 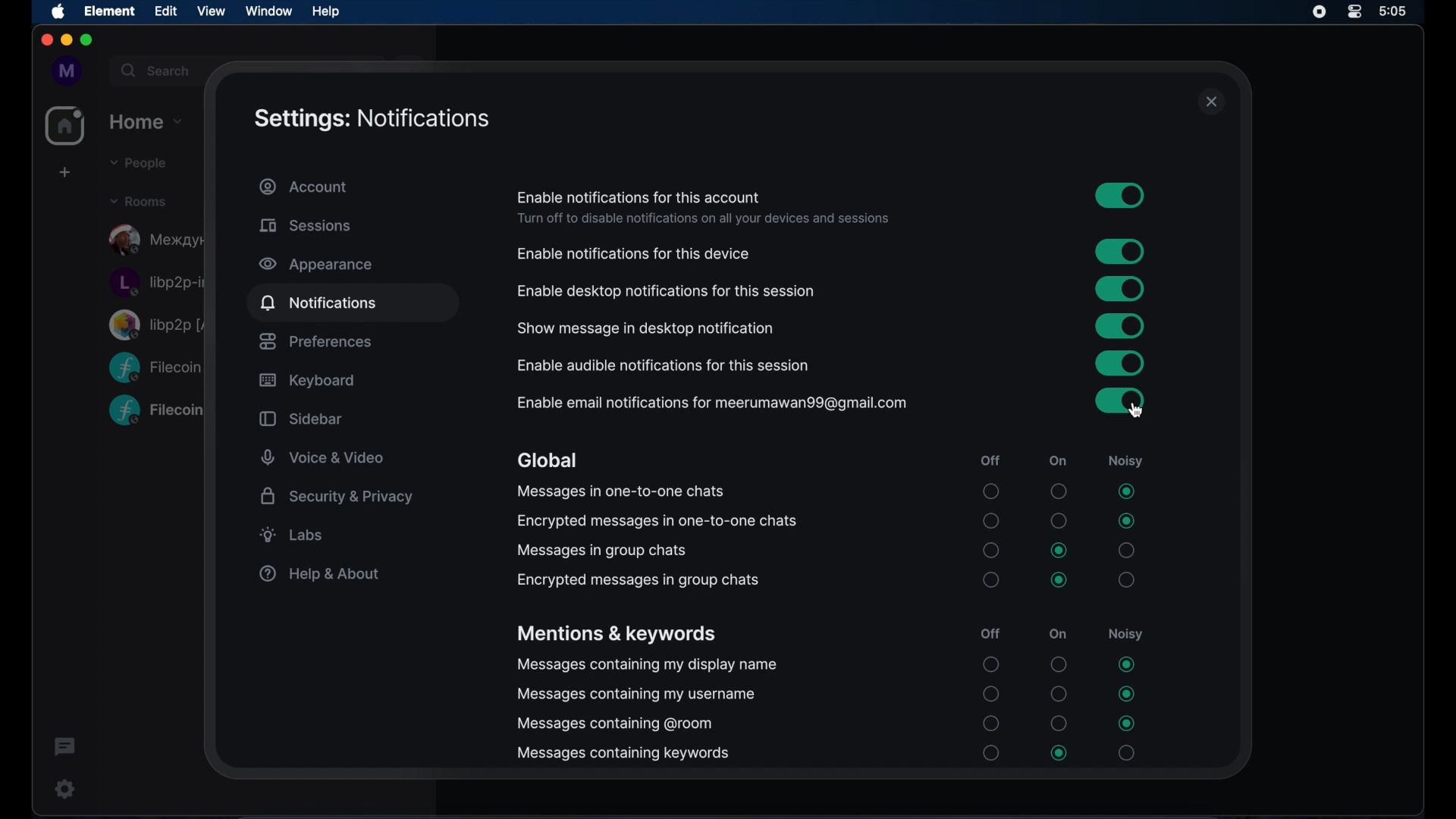 I want to click on radio button, so click(x=1126, y=753).